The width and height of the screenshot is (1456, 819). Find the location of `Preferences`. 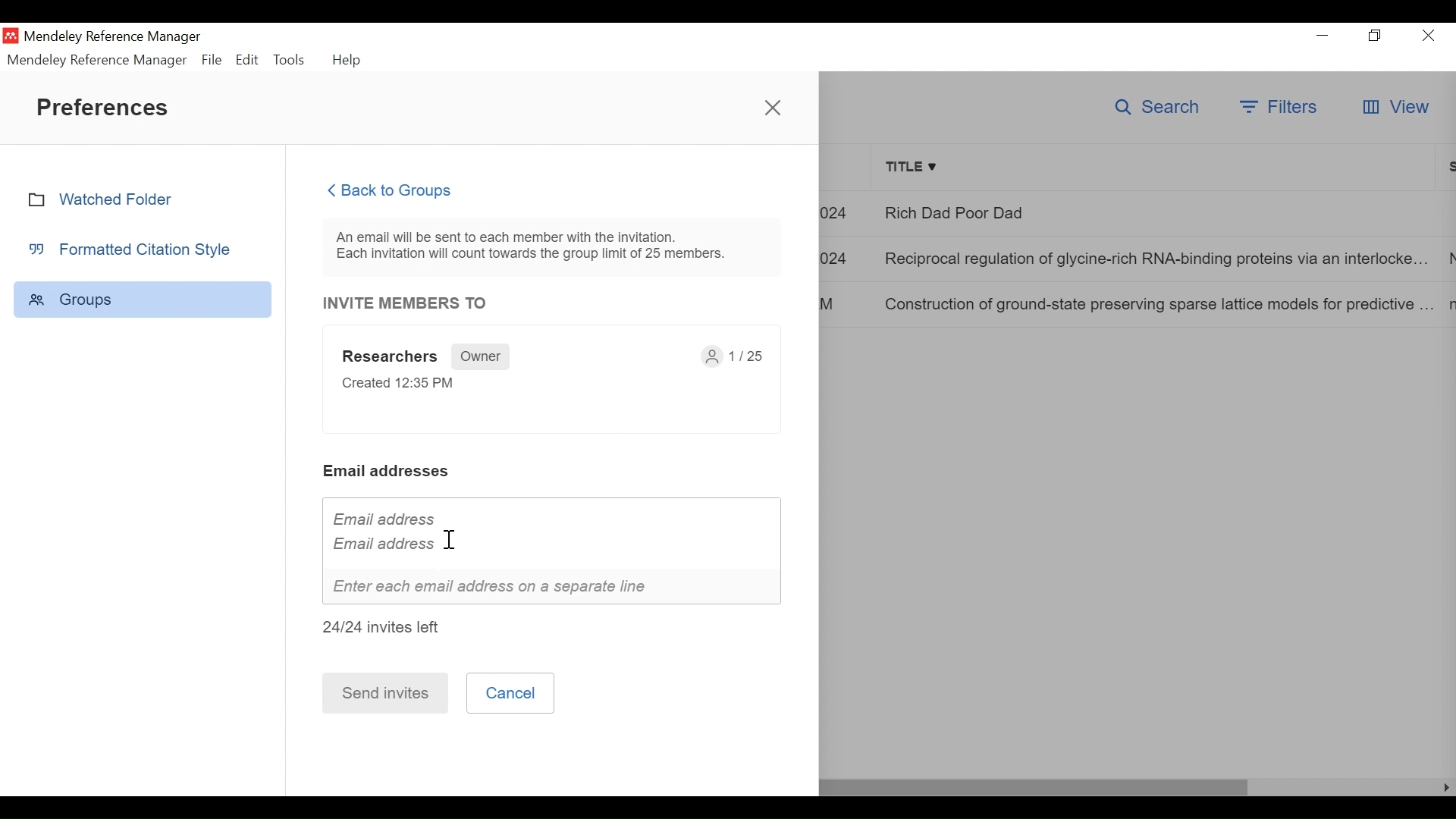

Preferences is located at coordinates (107, 107).